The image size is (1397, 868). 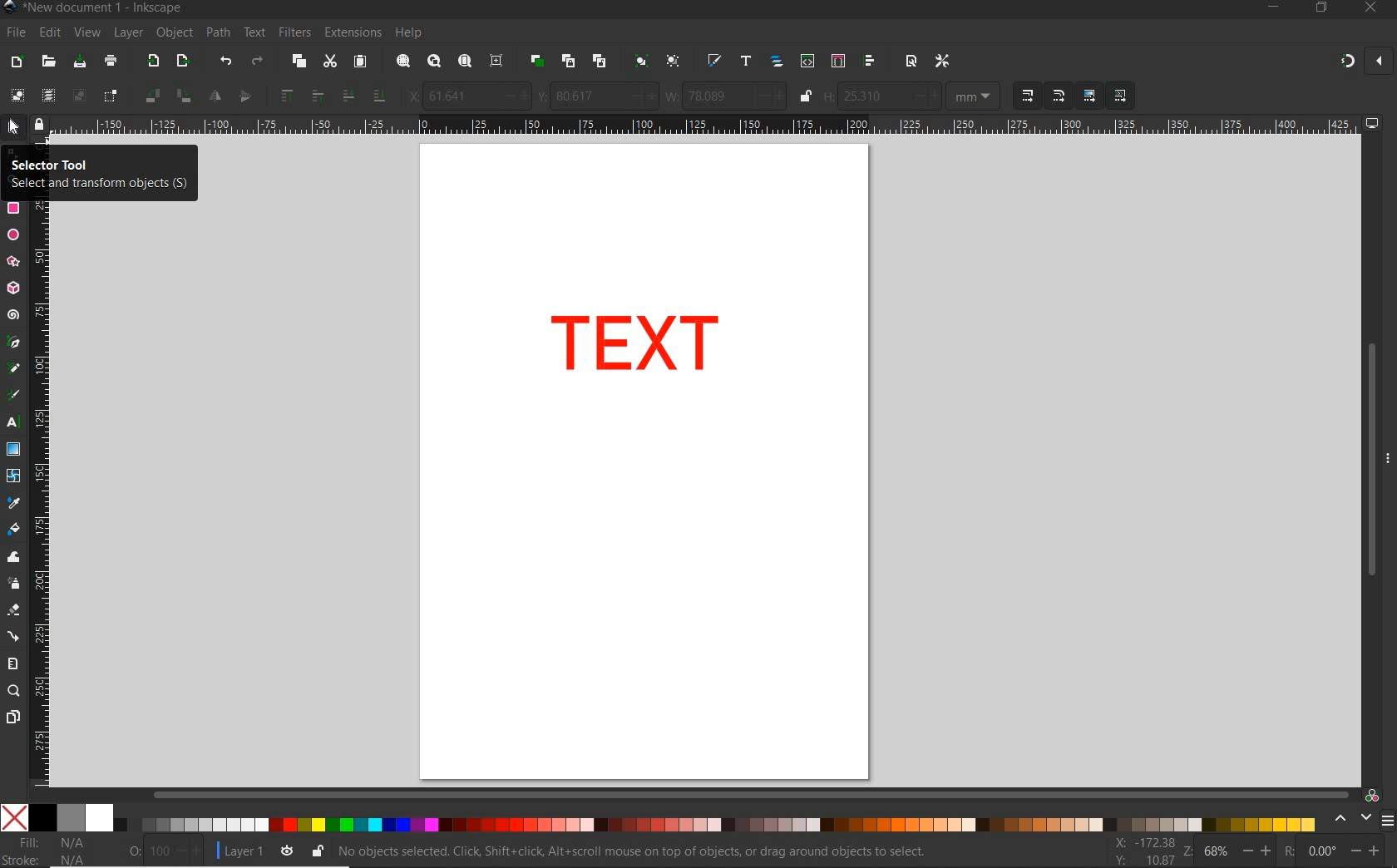 What do you see at coordinates (673, 62) in the screenshot?
I see `ungroup` at bounding box center [673, 62].